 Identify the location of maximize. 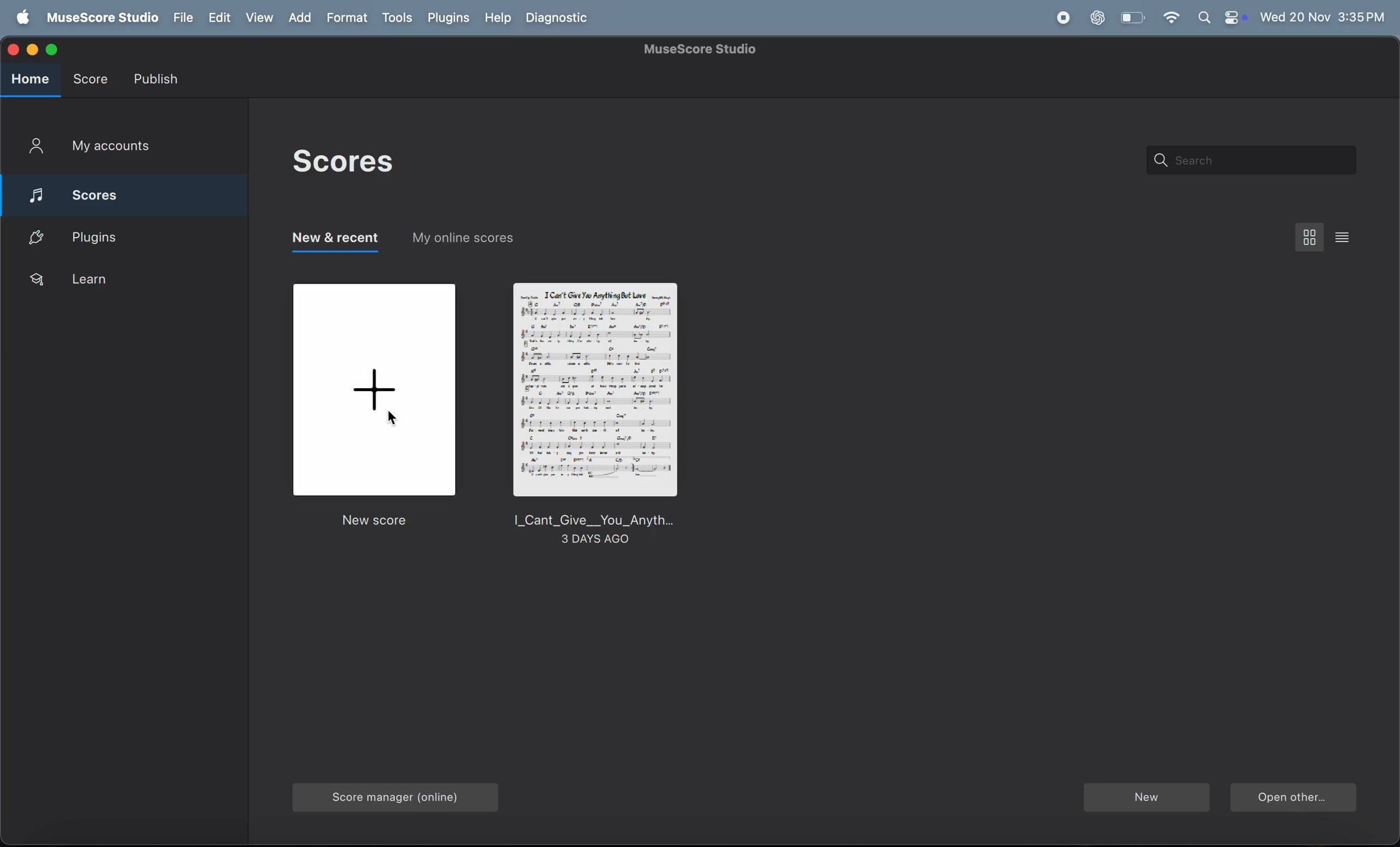
(55, 49).